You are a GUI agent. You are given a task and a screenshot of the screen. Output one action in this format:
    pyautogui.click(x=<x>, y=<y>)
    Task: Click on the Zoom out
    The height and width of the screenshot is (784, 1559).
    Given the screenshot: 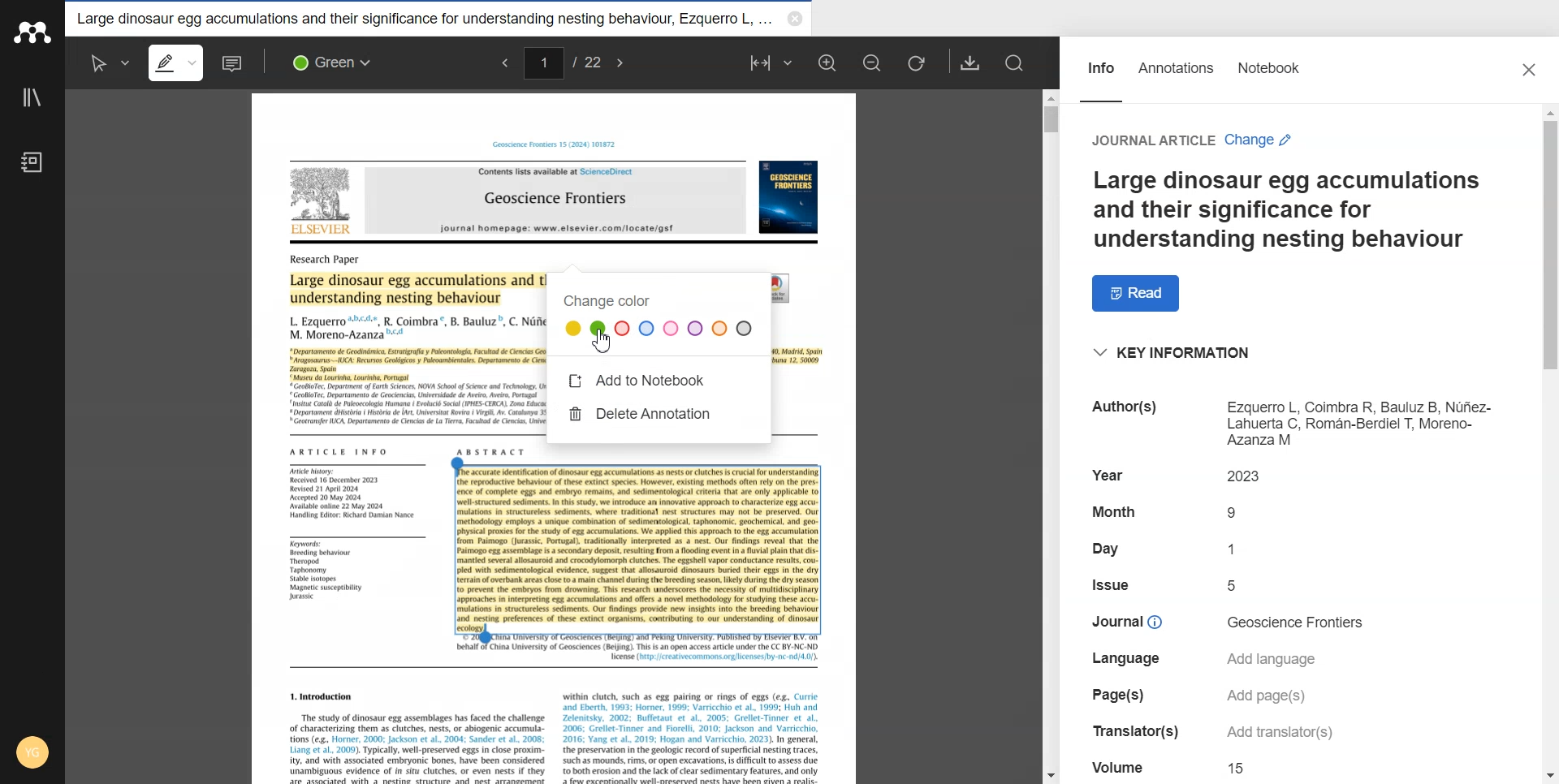 What is the action you would take?
    pyautogui.click(x=873, y=62)
    